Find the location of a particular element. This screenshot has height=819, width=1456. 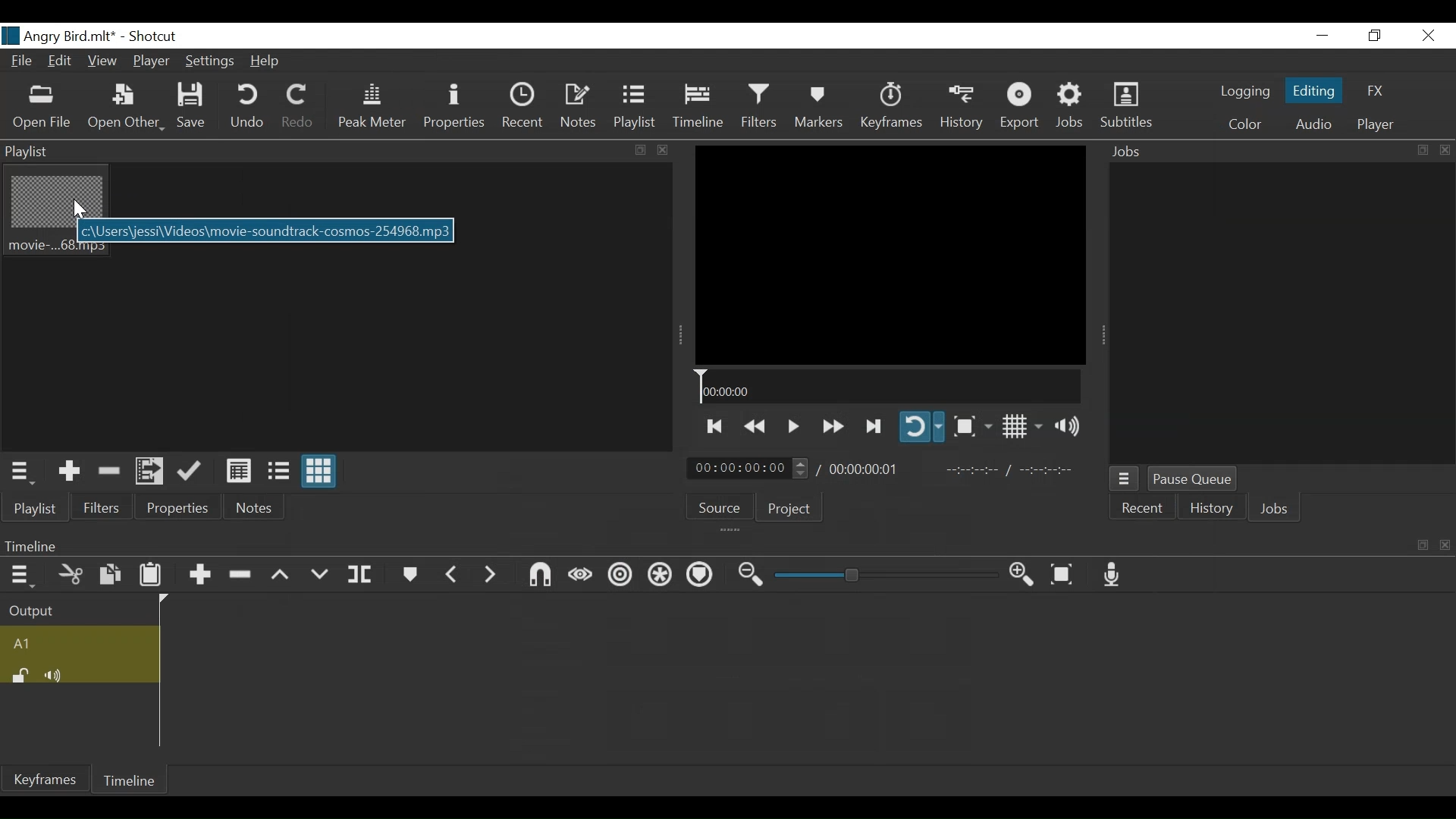

Jobs menu is located at coordinates (1125, 479).